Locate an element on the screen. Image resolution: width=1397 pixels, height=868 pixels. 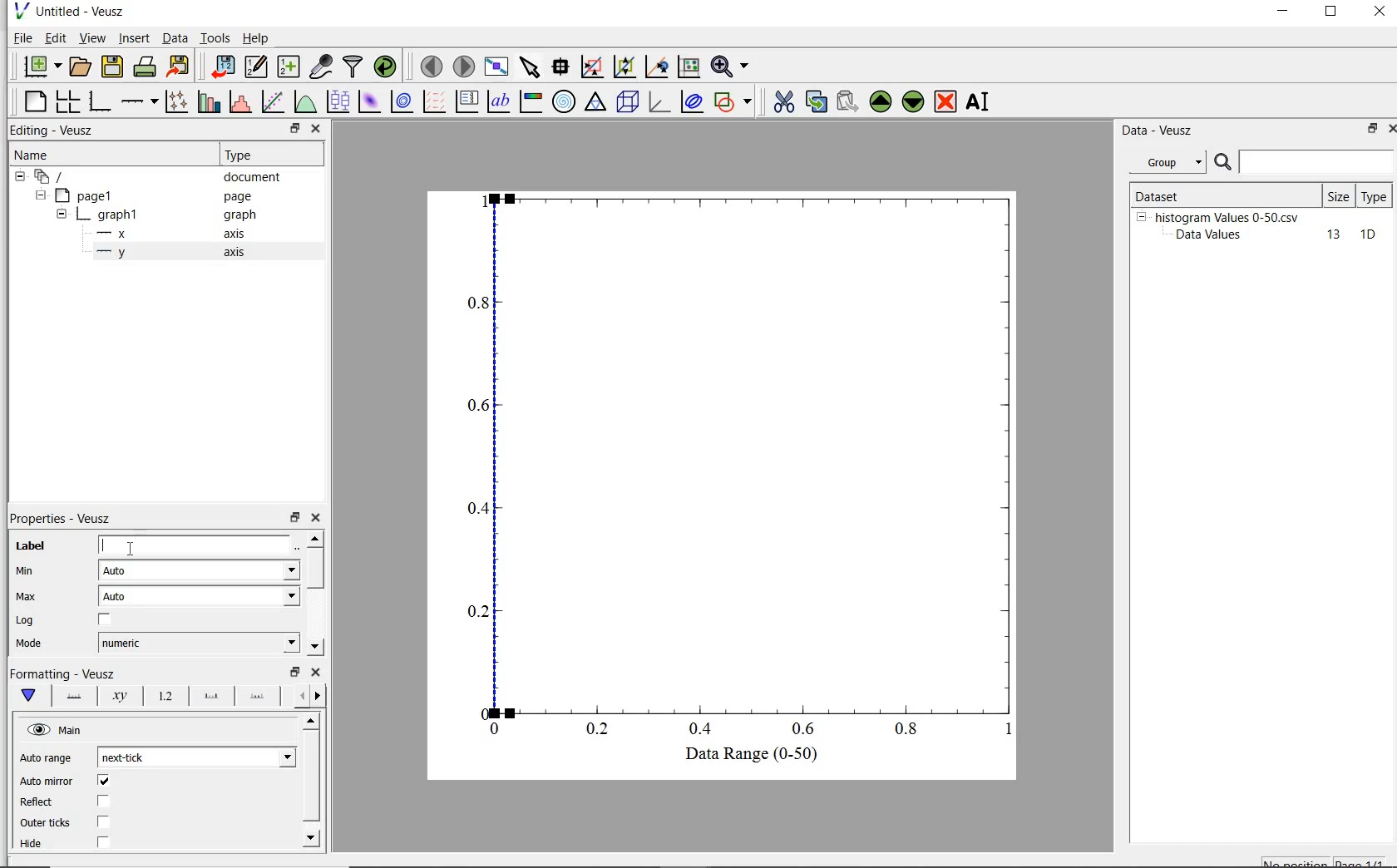
x- axis is located at coordinates (115, 235).